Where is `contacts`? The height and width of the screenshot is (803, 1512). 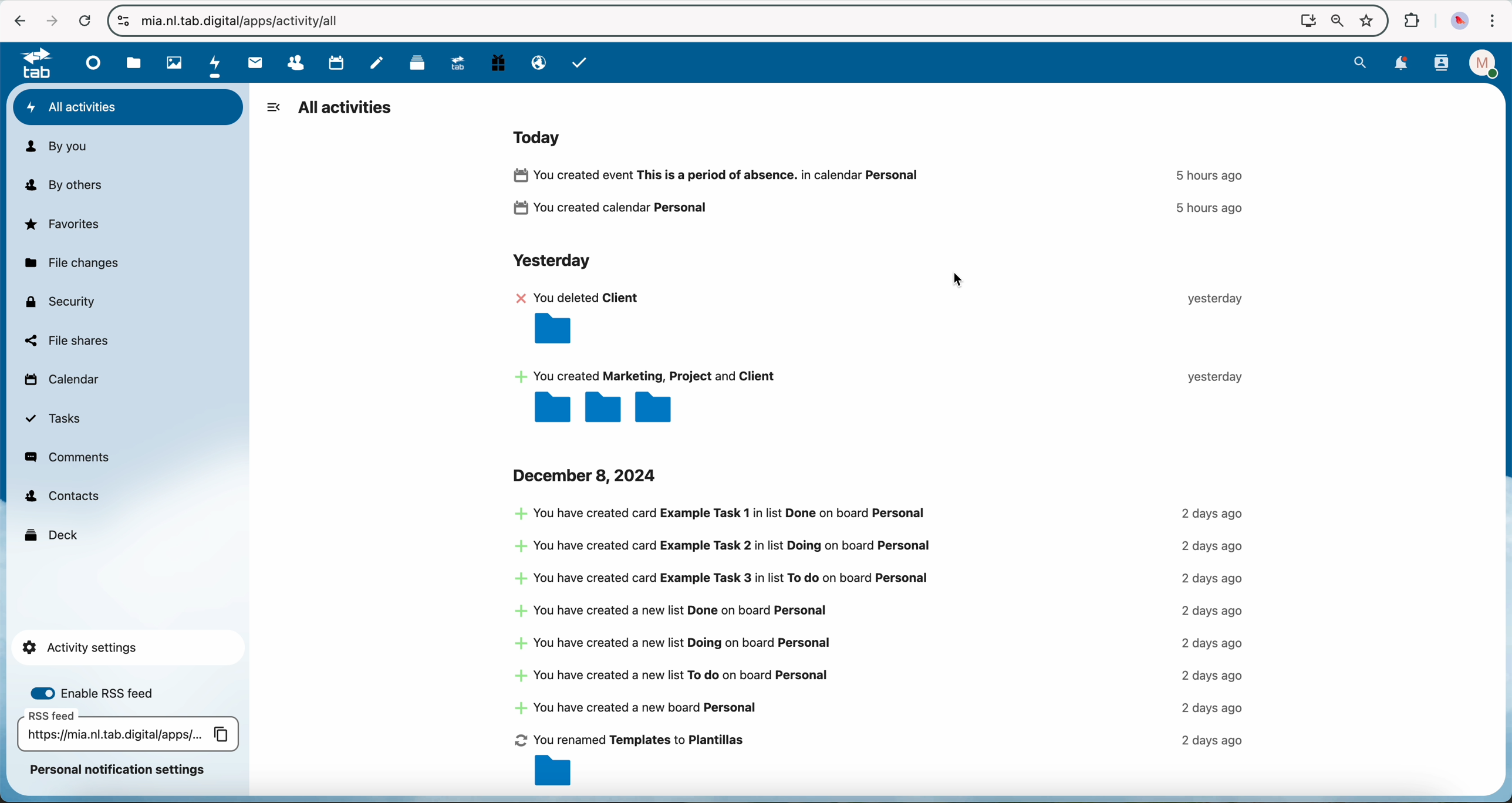
contacts is located at coordinates (289, 63).